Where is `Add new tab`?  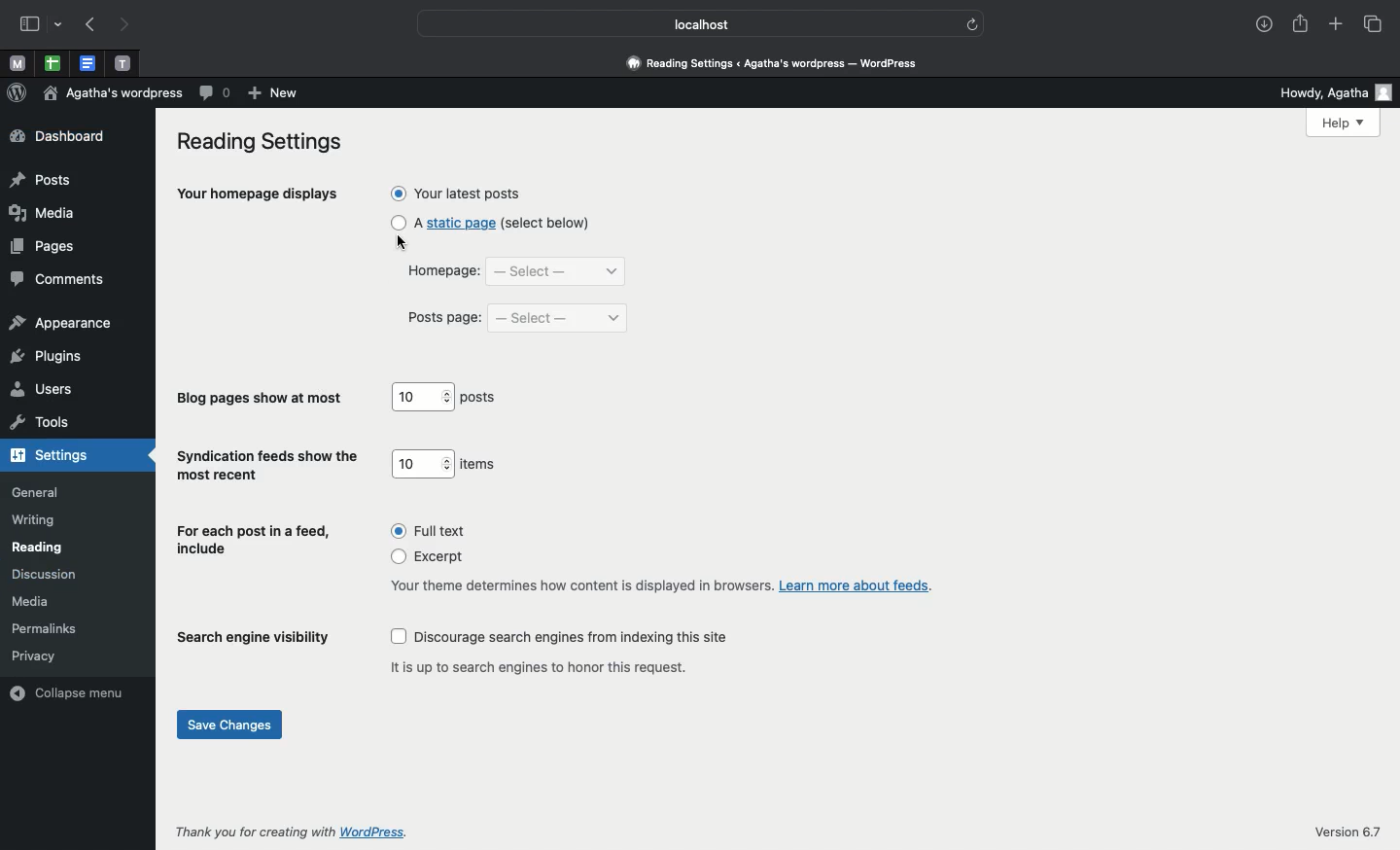 Add new tab is located at coordinates (1336, 21).